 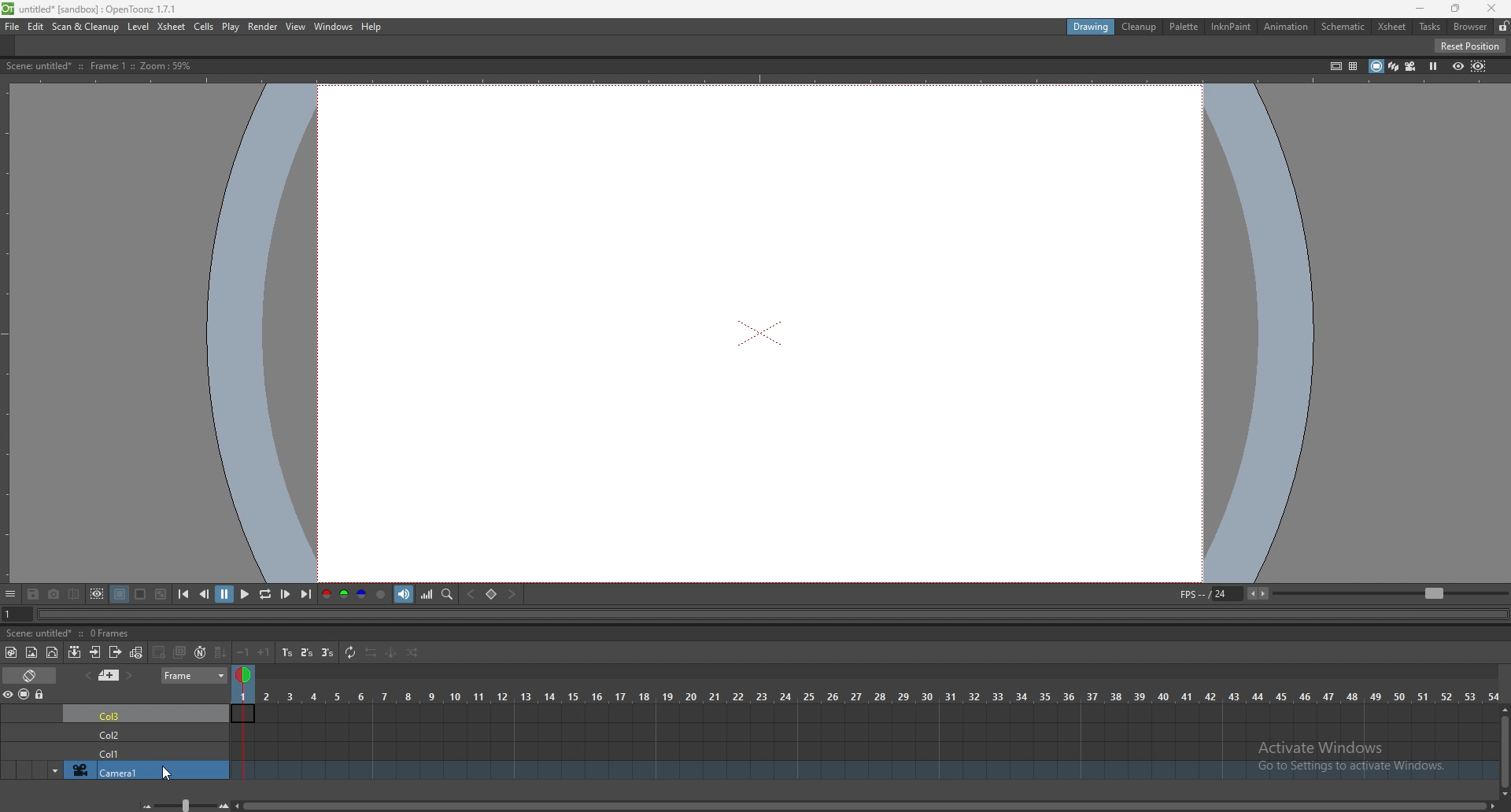 What do you see at coordinates (264, 595) in the screenshot?
I see `loop` at bounding box center [264, 595].